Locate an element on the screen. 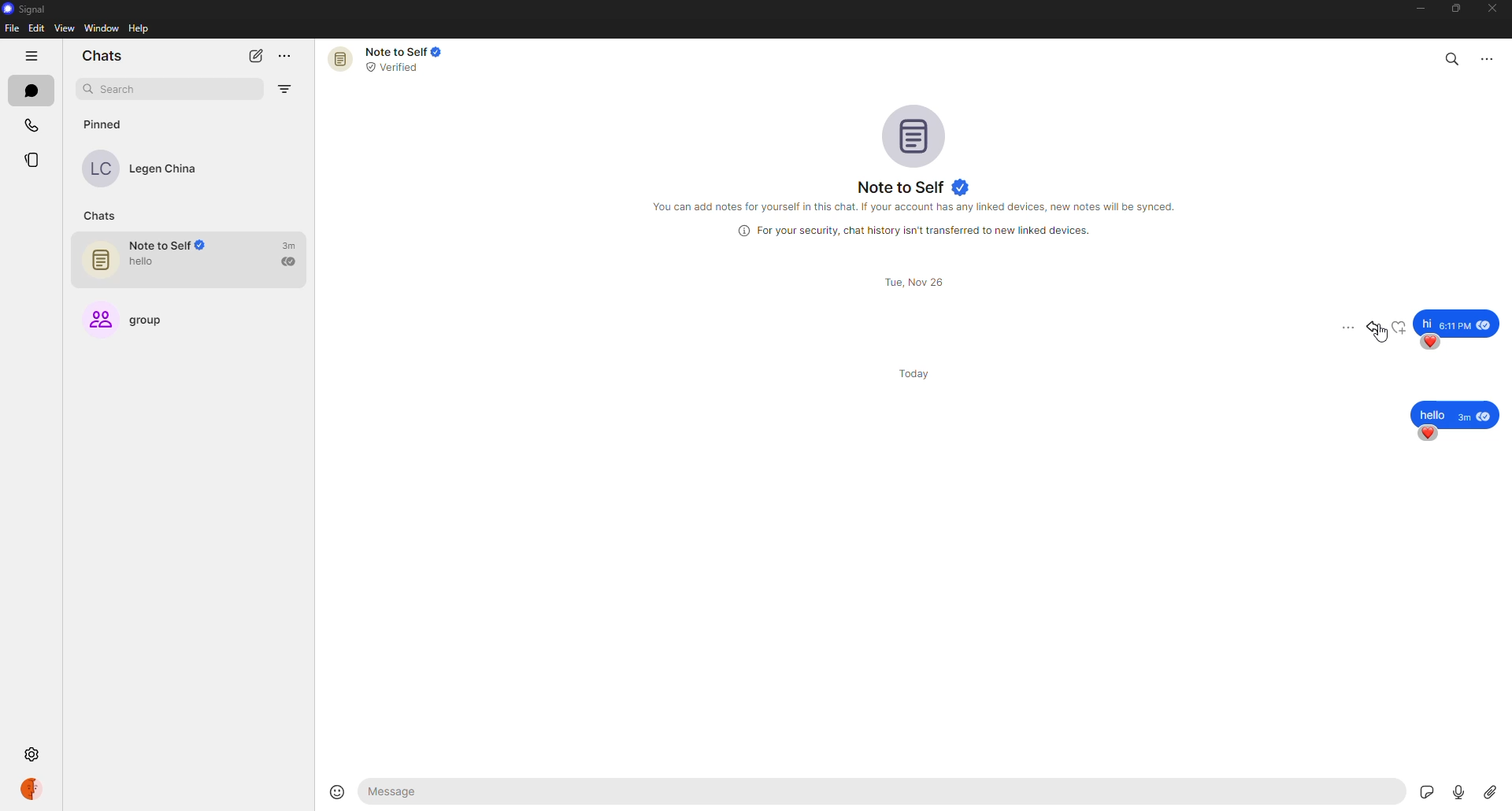 The height and width of the screenshot is (811, 1512). reaction is located at coordinates (1432, 343).